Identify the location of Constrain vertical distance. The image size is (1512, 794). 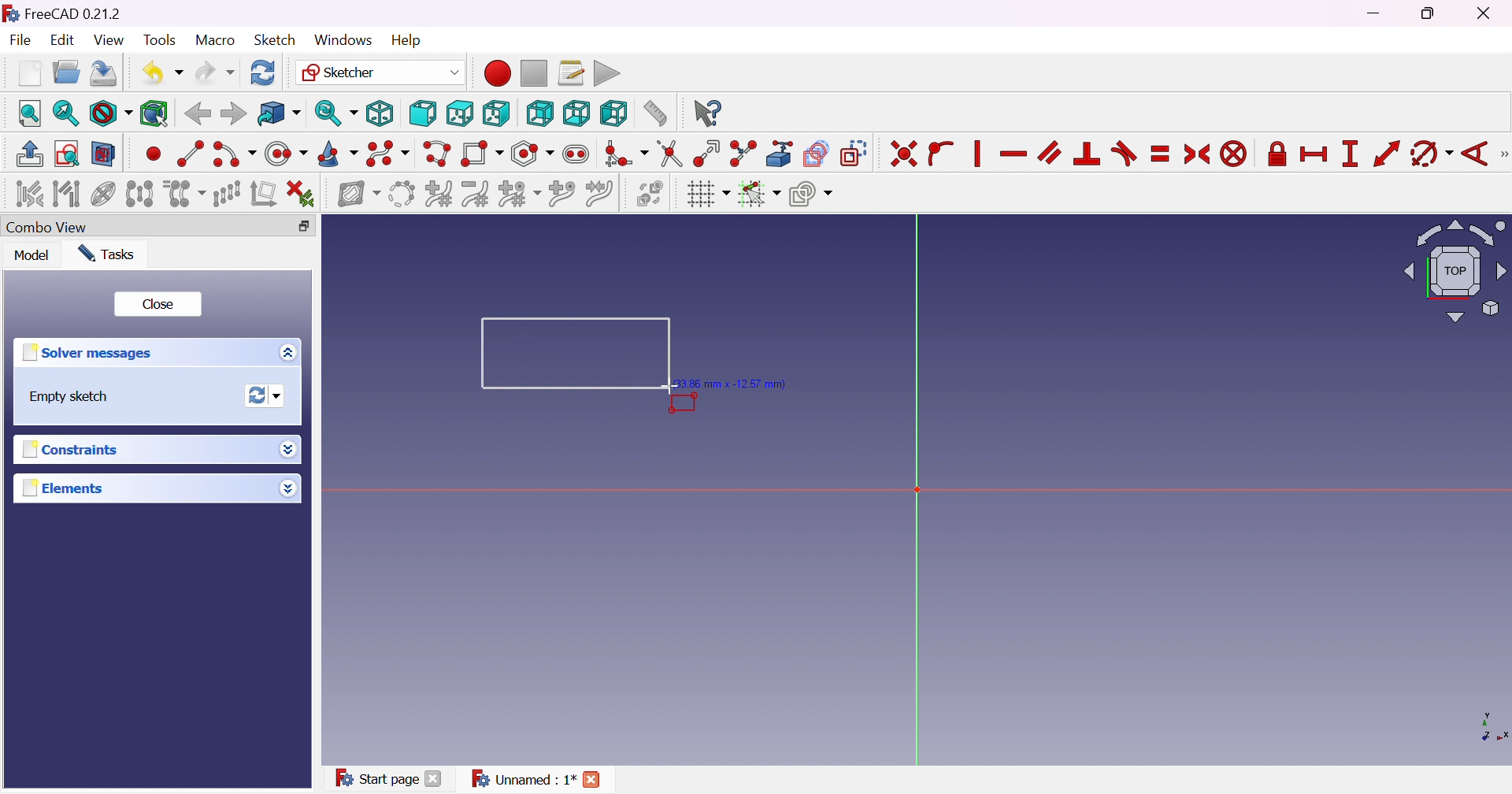
(1350, 154).